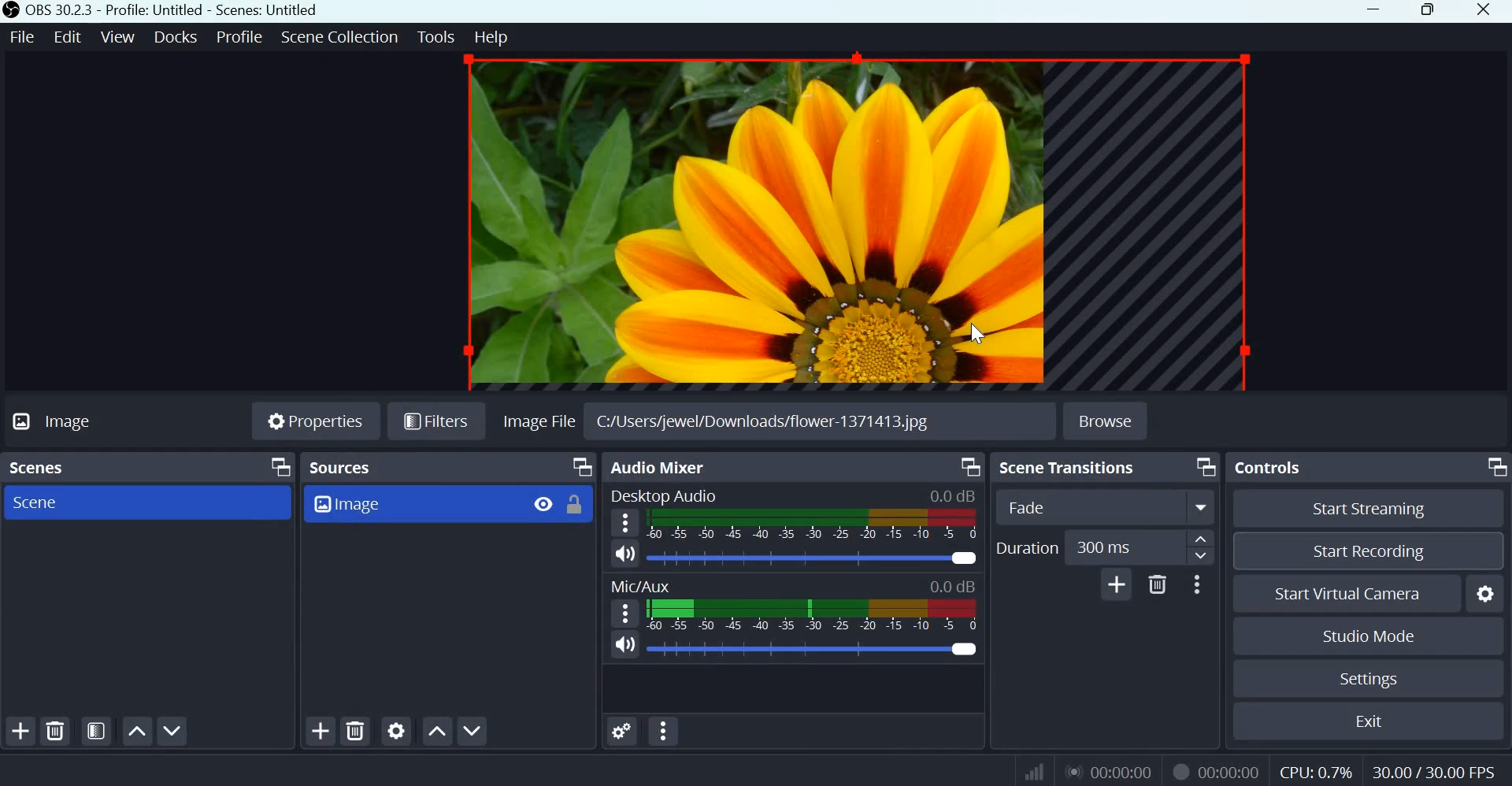 The width and height of the screenshot is (1512, 786). I want to click on view, so click(118, 35).